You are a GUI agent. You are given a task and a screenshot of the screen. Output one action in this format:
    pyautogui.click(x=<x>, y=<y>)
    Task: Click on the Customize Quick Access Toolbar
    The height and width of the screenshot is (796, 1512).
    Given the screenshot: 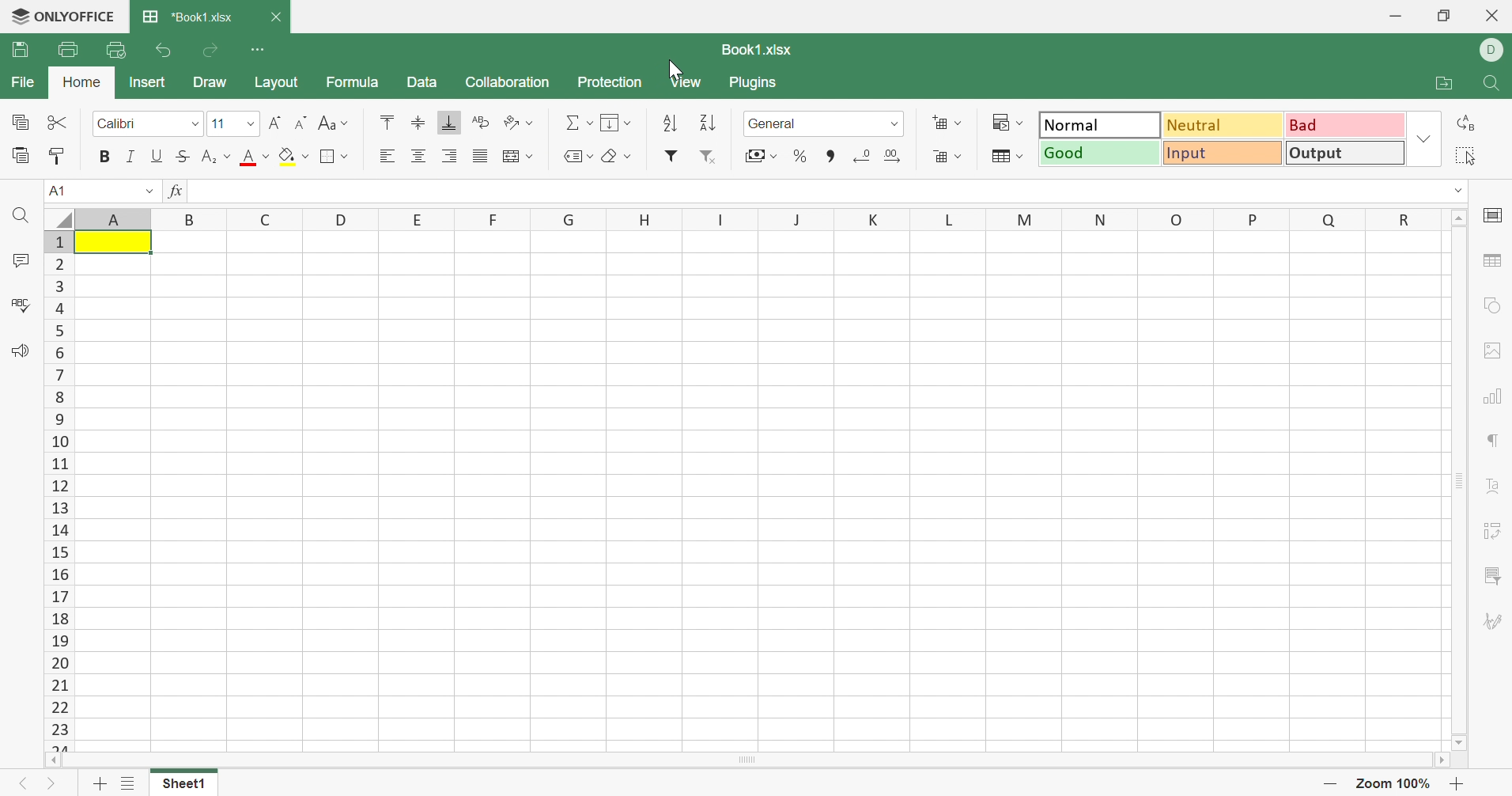 What is the action you would take?
    pyautogui.click(x=258, y=47)
    